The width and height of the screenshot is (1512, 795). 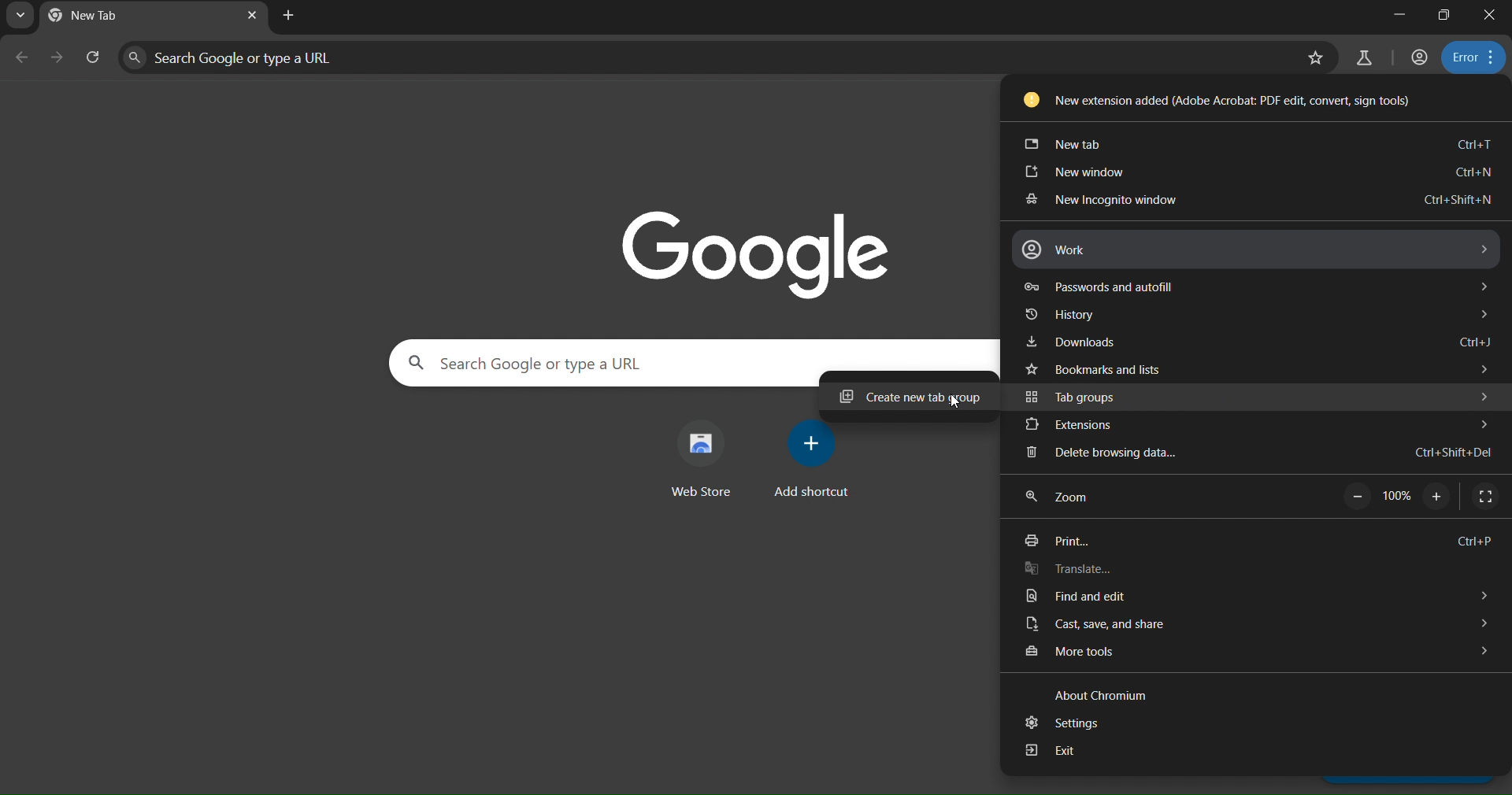 What do you see at coordinates (524, 361) in the screenshot?
I see `Search Google or type a URL` at bounding box center [524, 361].